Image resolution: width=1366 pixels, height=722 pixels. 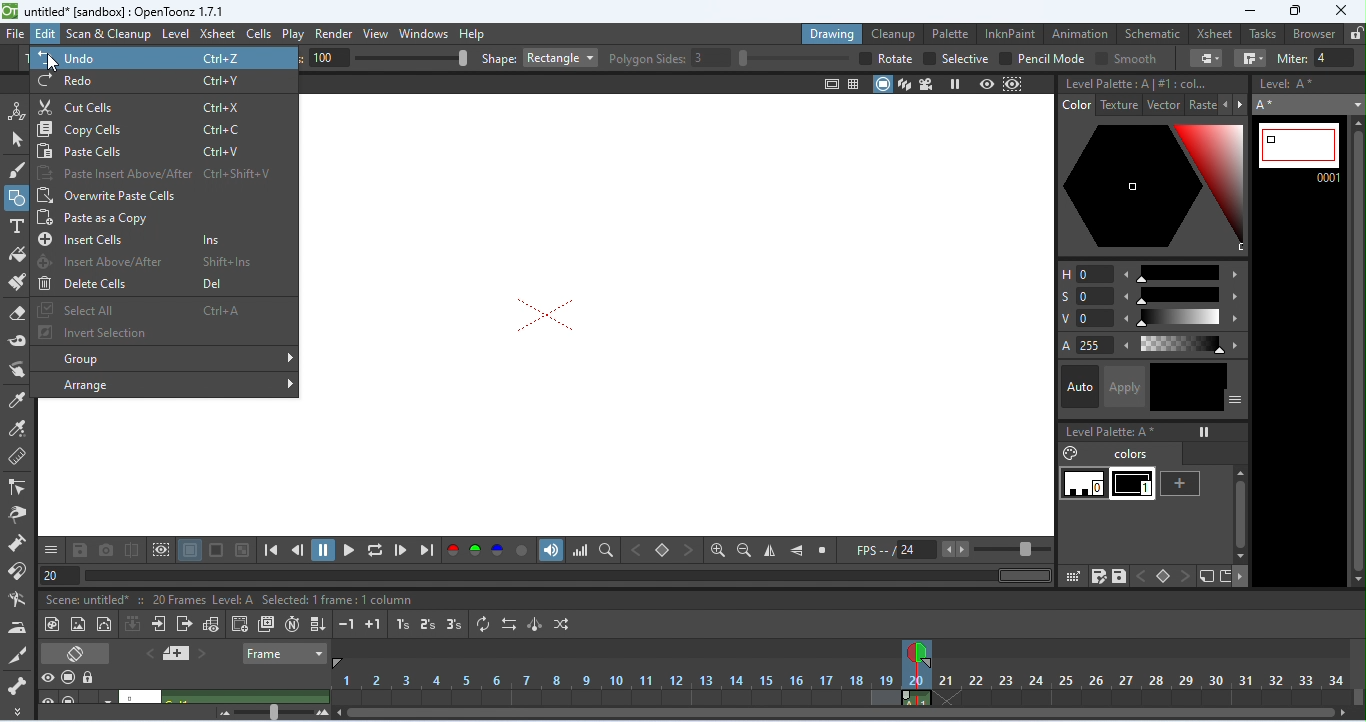 I want to click on windows, so click(x=422, y=34).